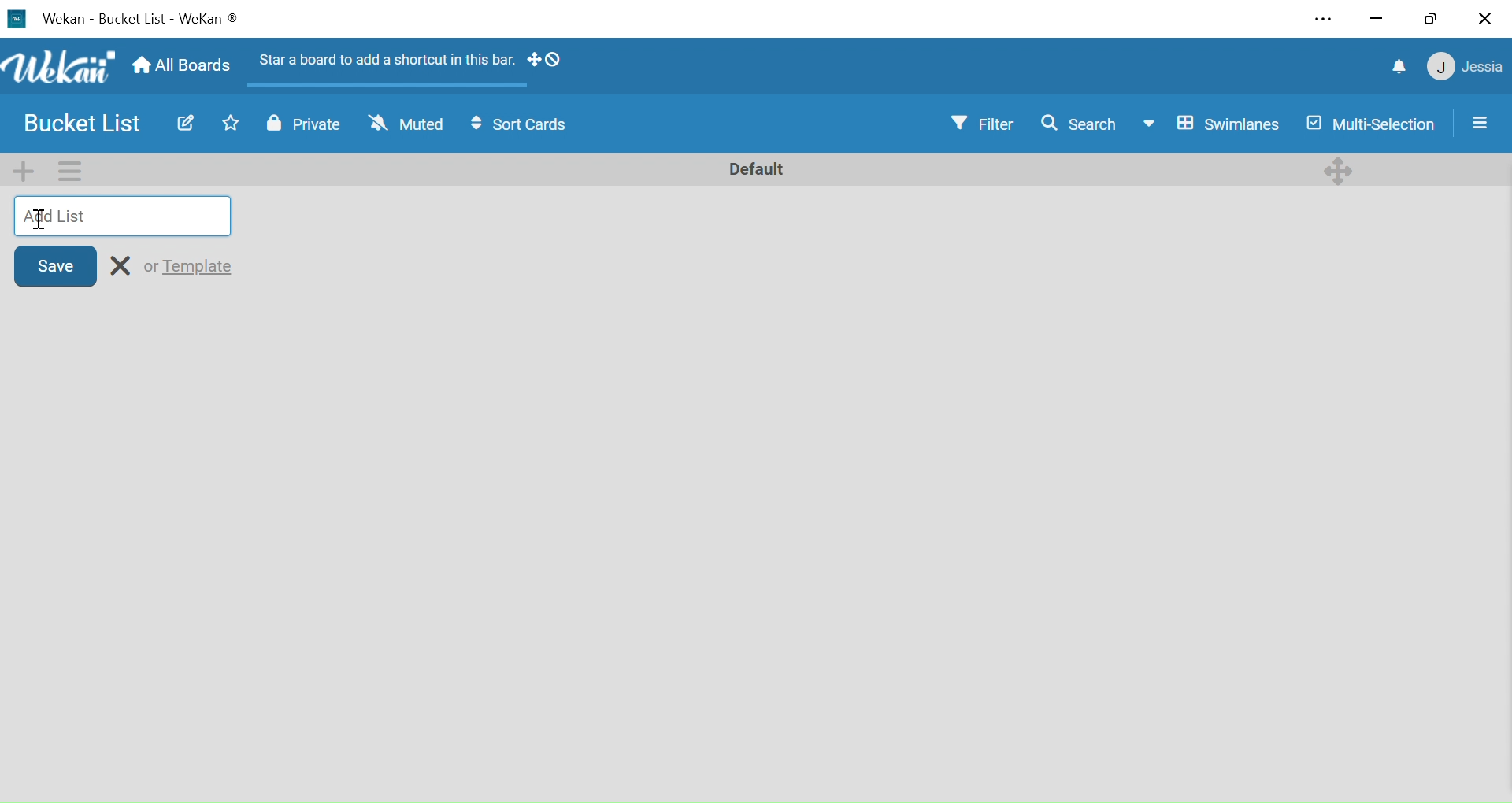 Image resolution: width=1512 pixels, height=803 pixels. Describe the element at coordinates (63, 19) in the screenshot. I see `Wekan` at that location.